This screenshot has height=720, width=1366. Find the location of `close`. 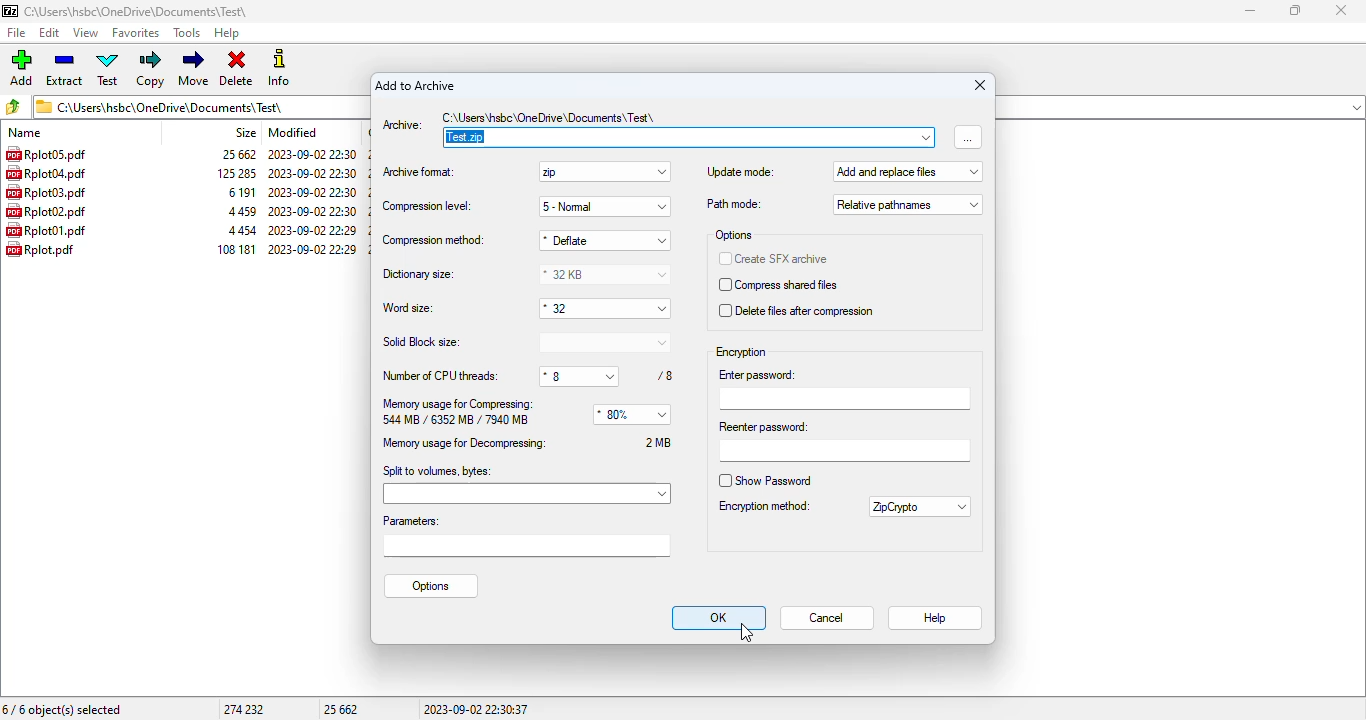

close is located at coordinates (980, 84).